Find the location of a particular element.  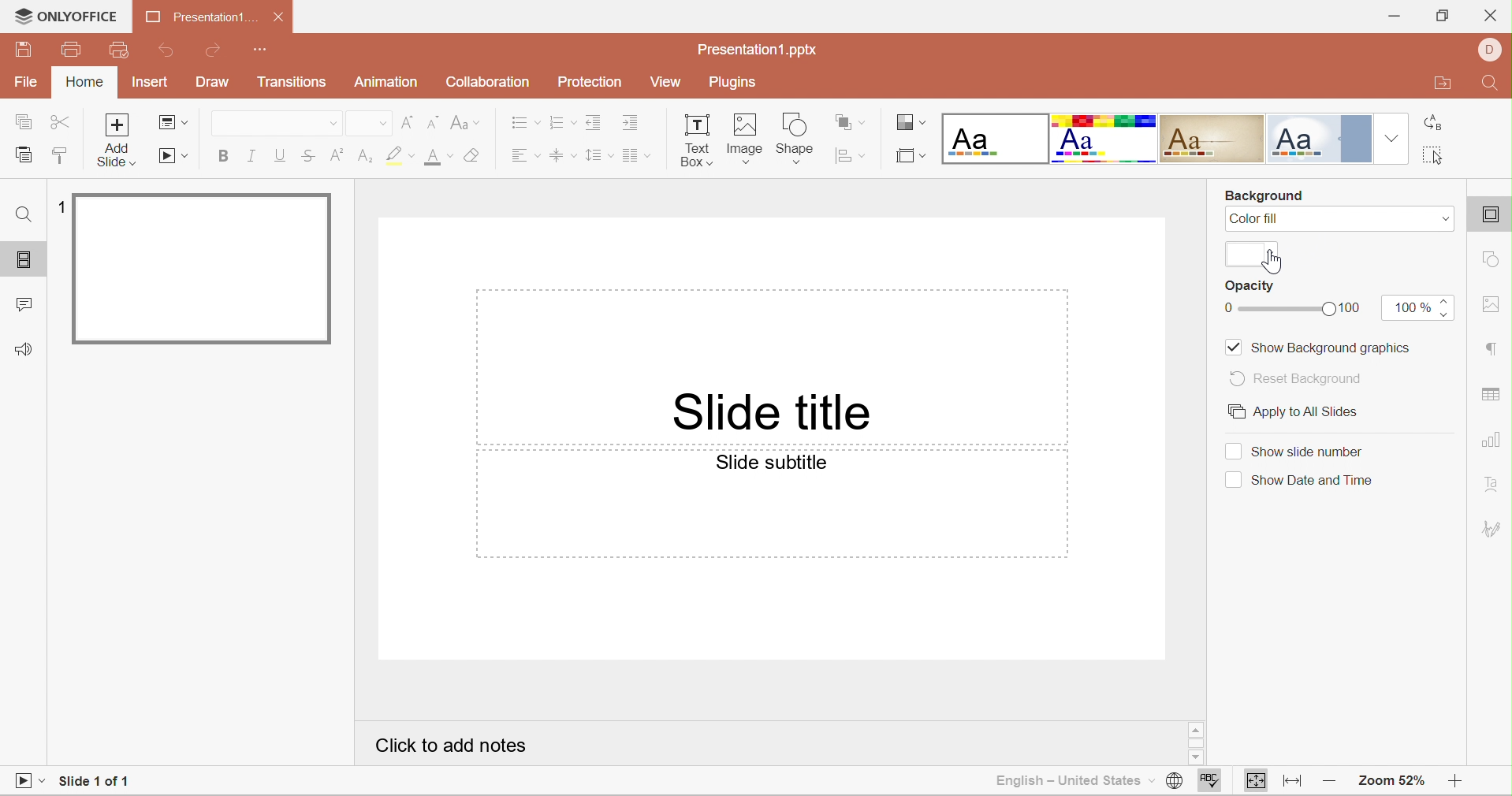

English - United States is located at coordinates (1063, 782).